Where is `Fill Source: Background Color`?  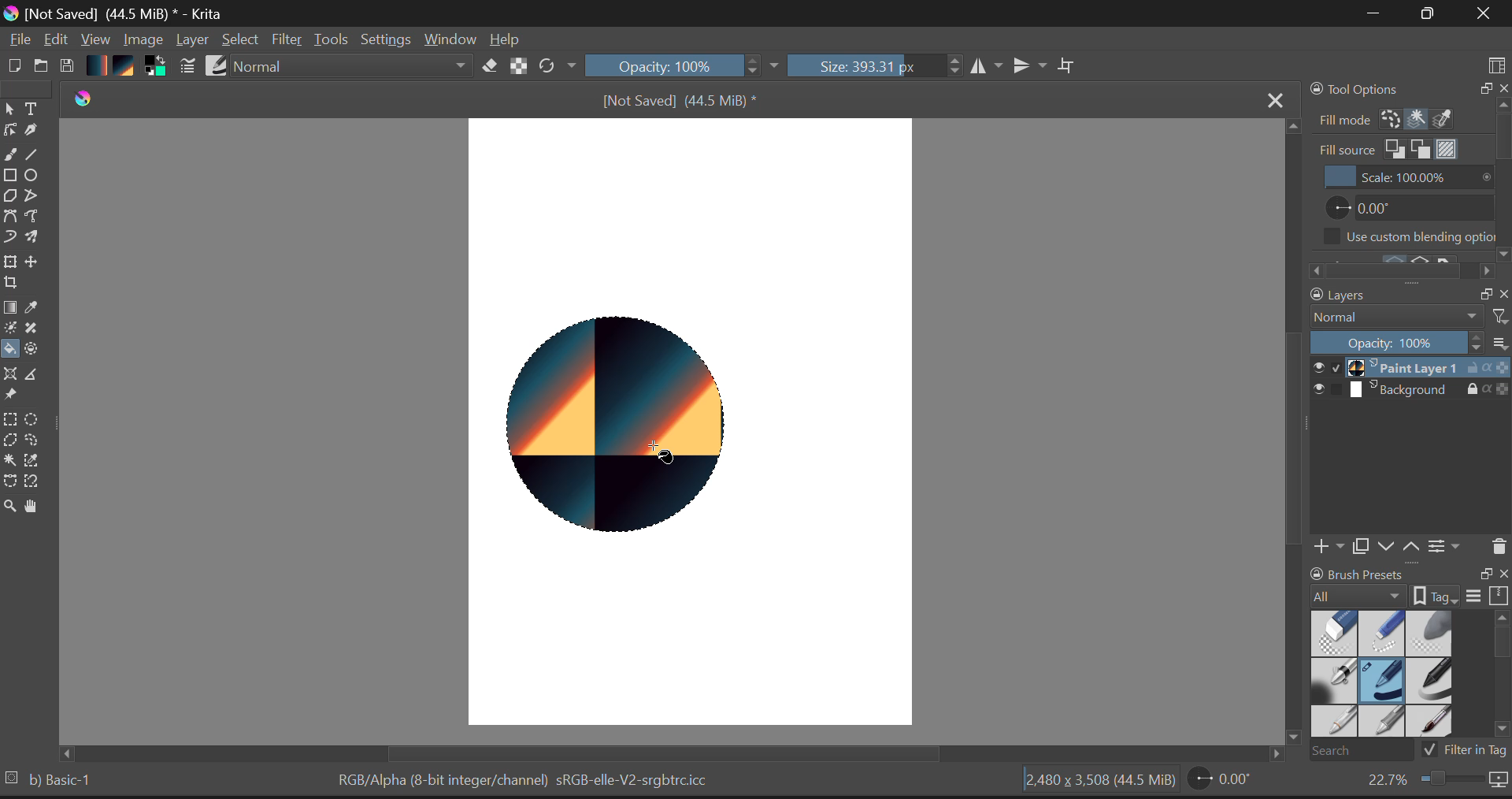
Fill Source: Background Color is located at coordinates (1421, 149).